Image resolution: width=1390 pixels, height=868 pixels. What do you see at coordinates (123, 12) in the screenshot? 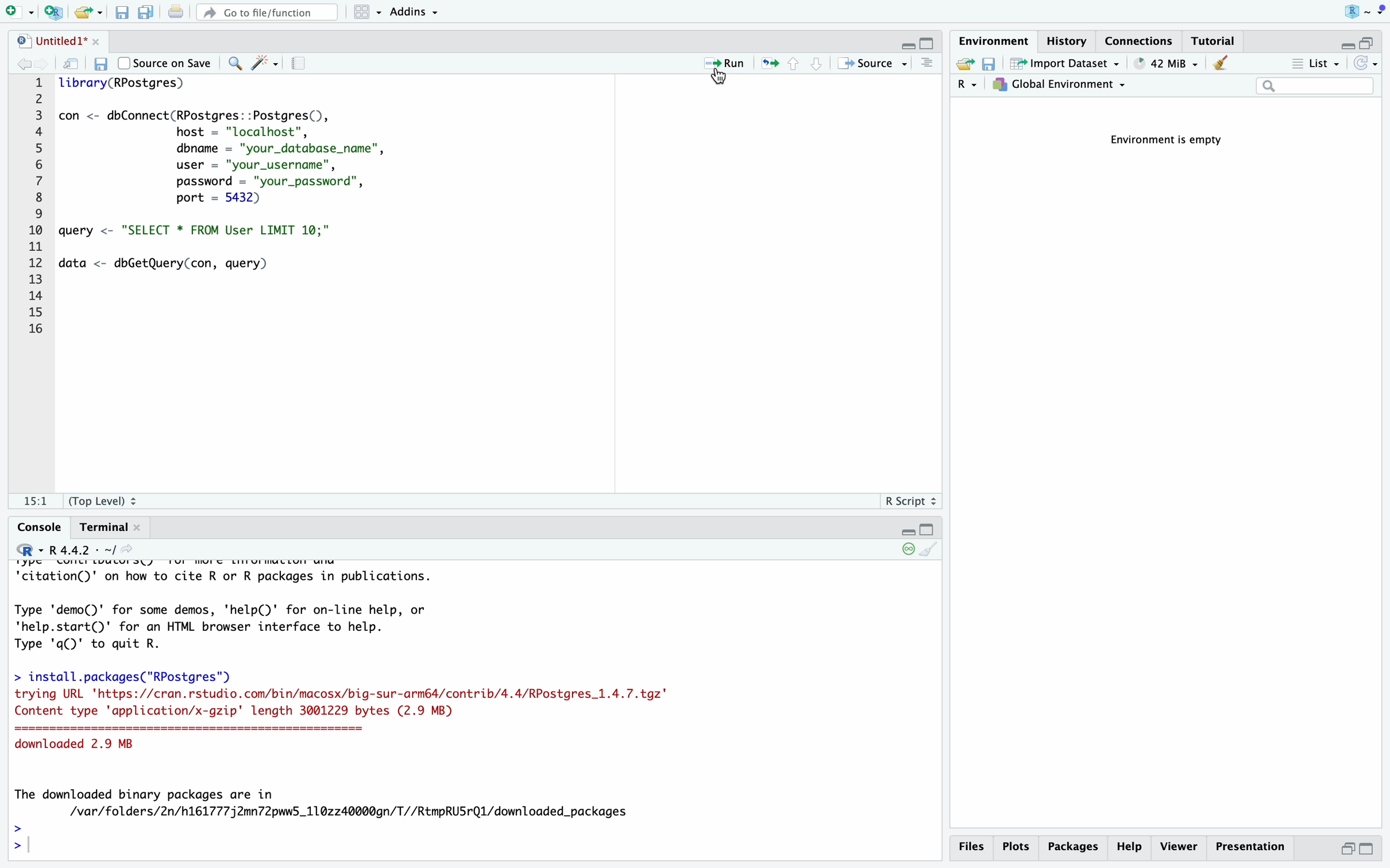
I see `save current document` at bounding box center [123, 12].